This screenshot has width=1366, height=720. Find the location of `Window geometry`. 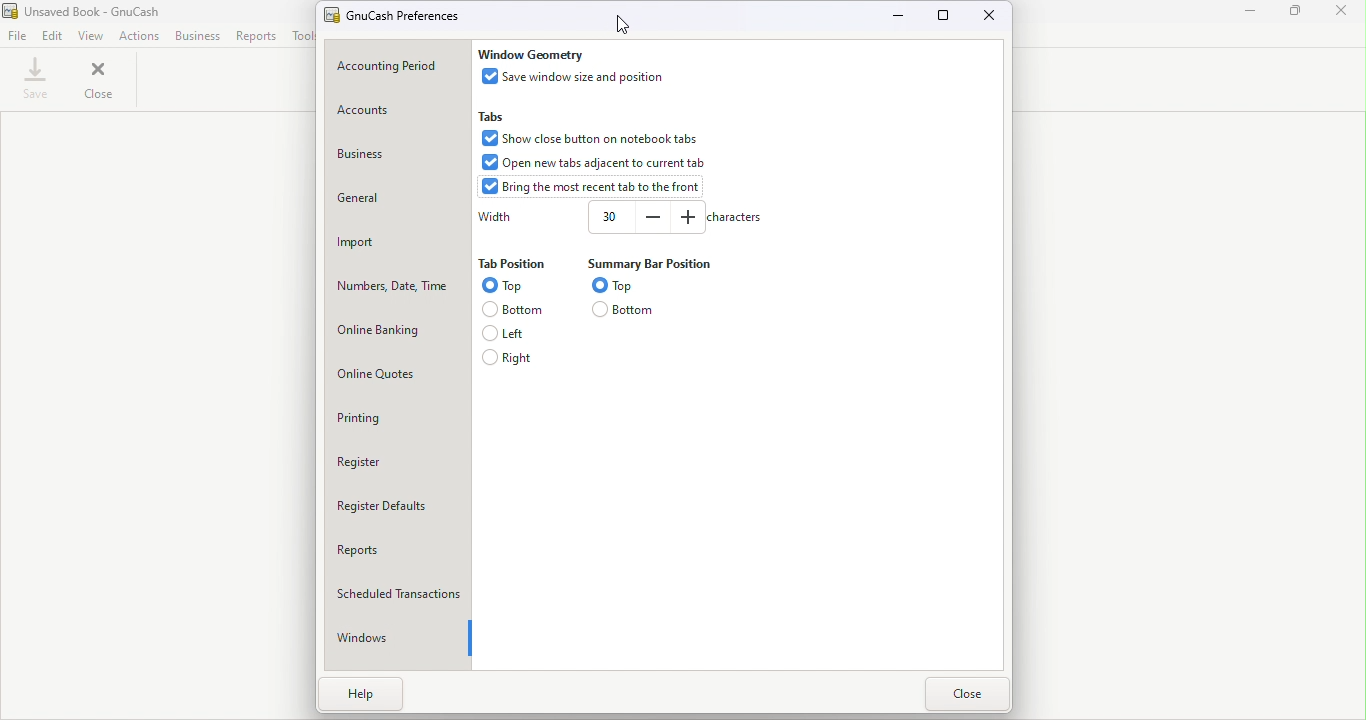

Window geometry is located at coordinates (532, 54).